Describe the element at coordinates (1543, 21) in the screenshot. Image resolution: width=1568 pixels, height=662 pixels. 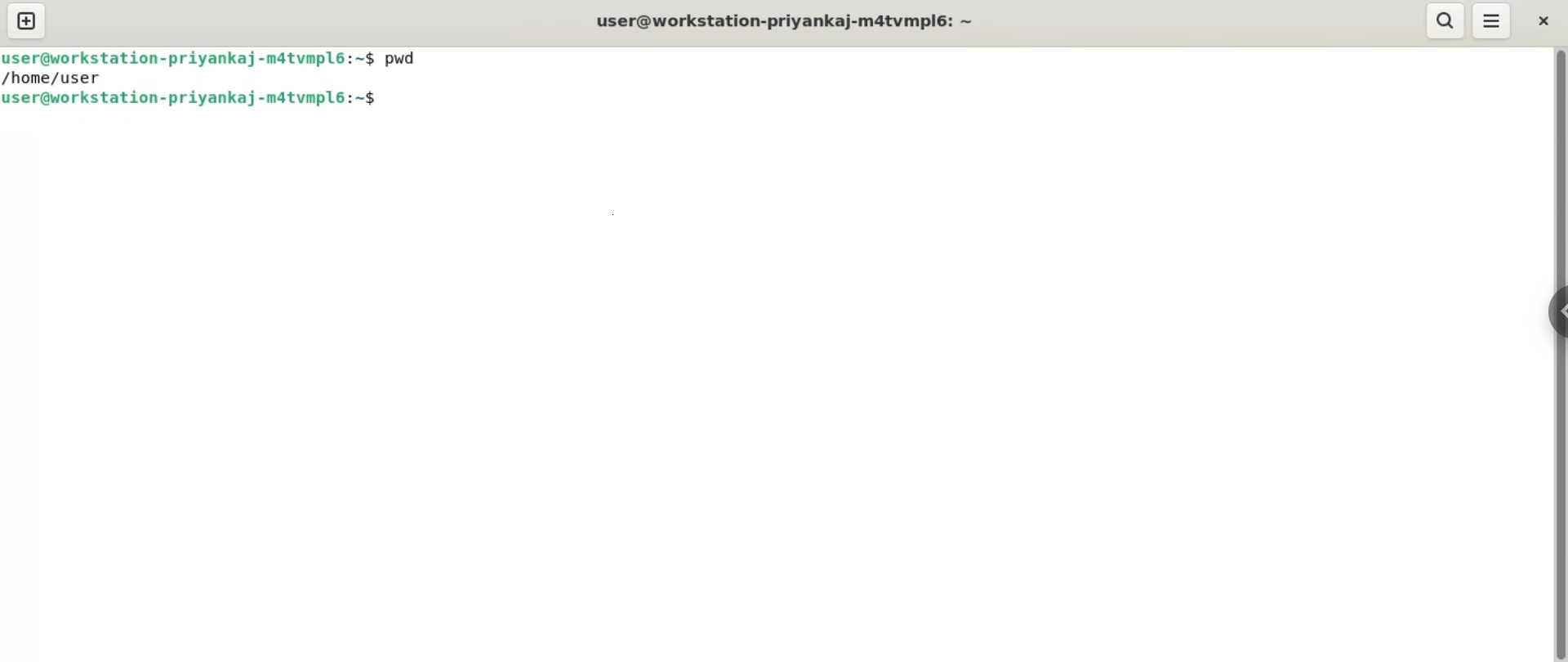
I see `close` at that location.